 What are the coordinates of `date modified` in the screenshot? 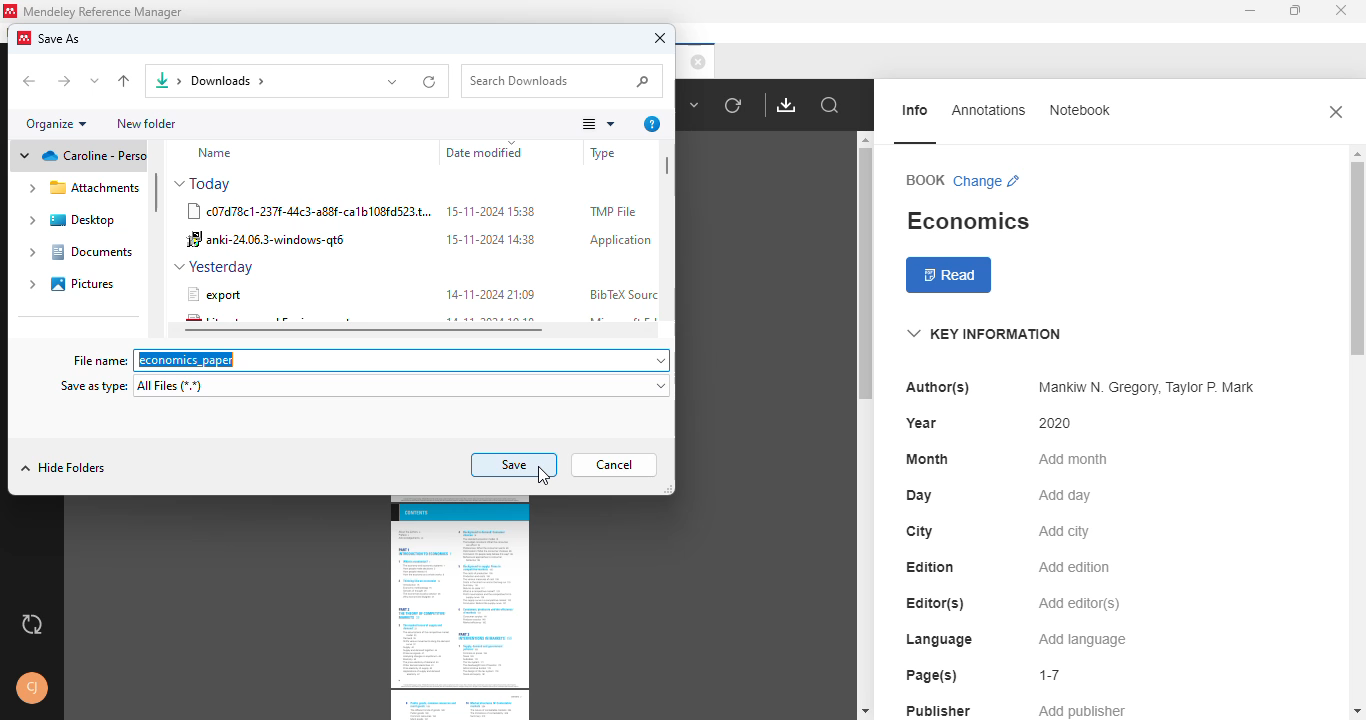 It's located at (501, 152).